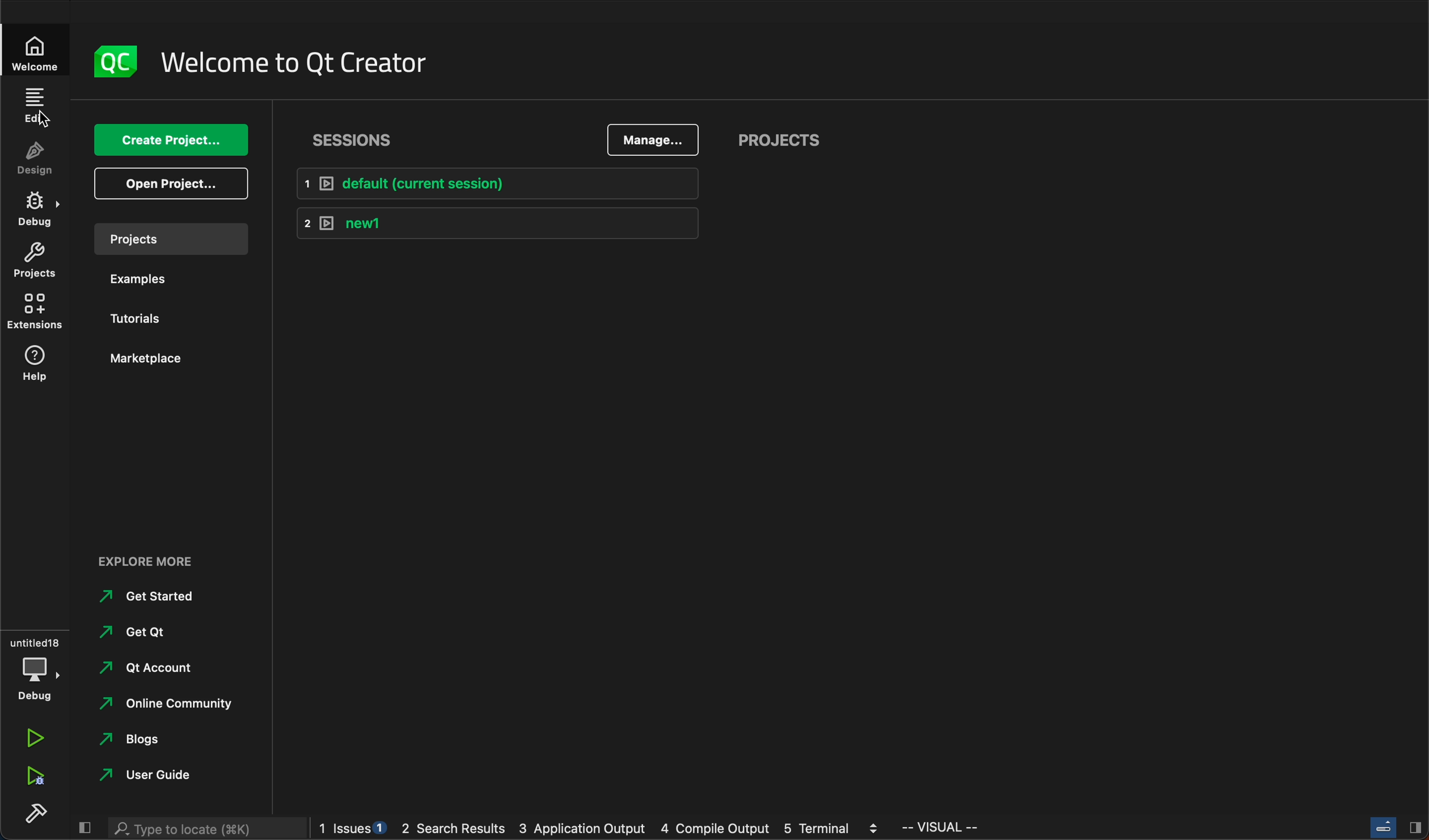  Describe the element at coordinates (489, 223) in the screenshot. I see `new1` at that location.